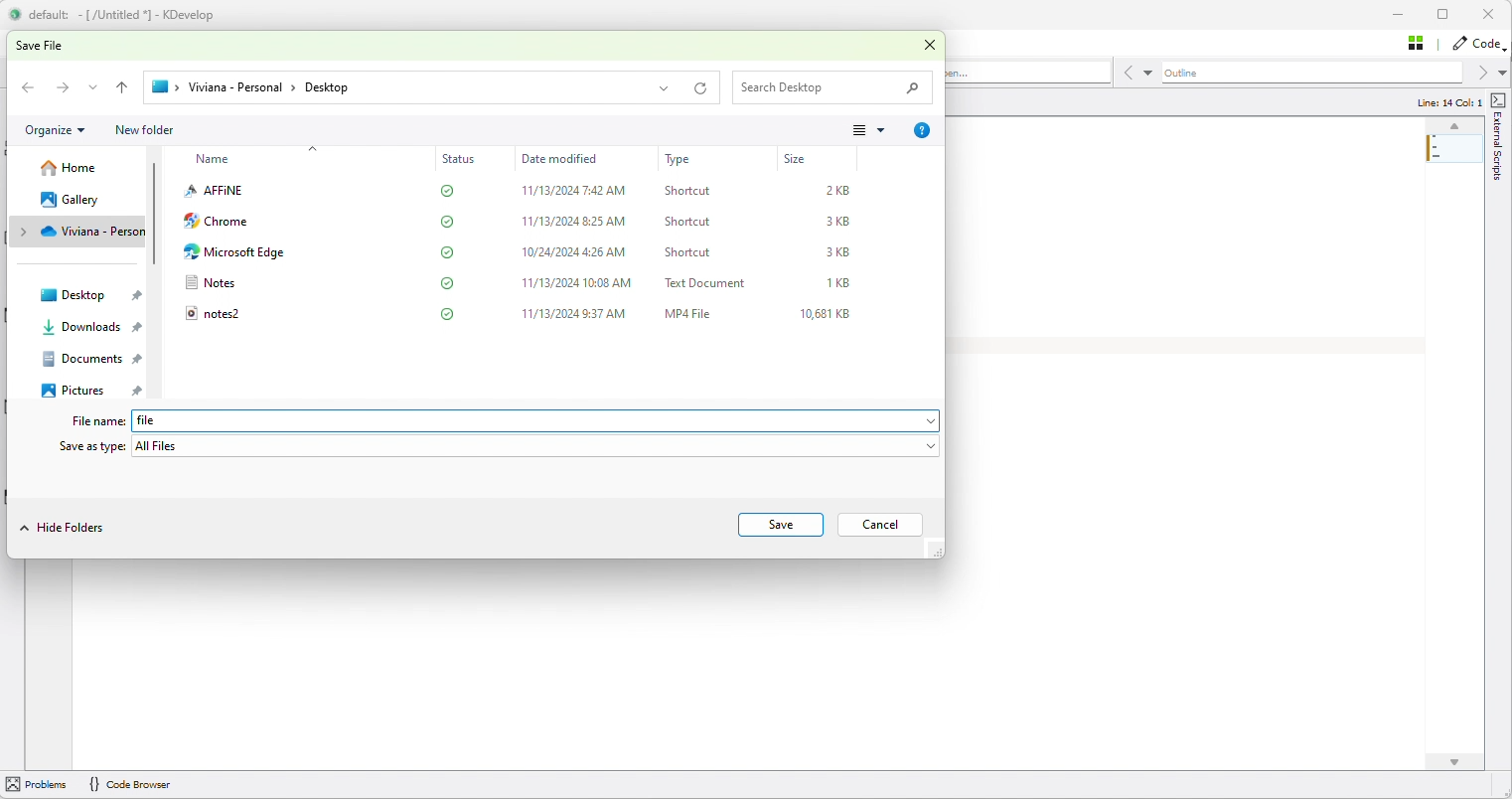 This screenshot has height=799, width=1512. What do you see at coordinates (449, 222) in the screenshot?
I see `saved to cloud` at bounding box center [449, 222].